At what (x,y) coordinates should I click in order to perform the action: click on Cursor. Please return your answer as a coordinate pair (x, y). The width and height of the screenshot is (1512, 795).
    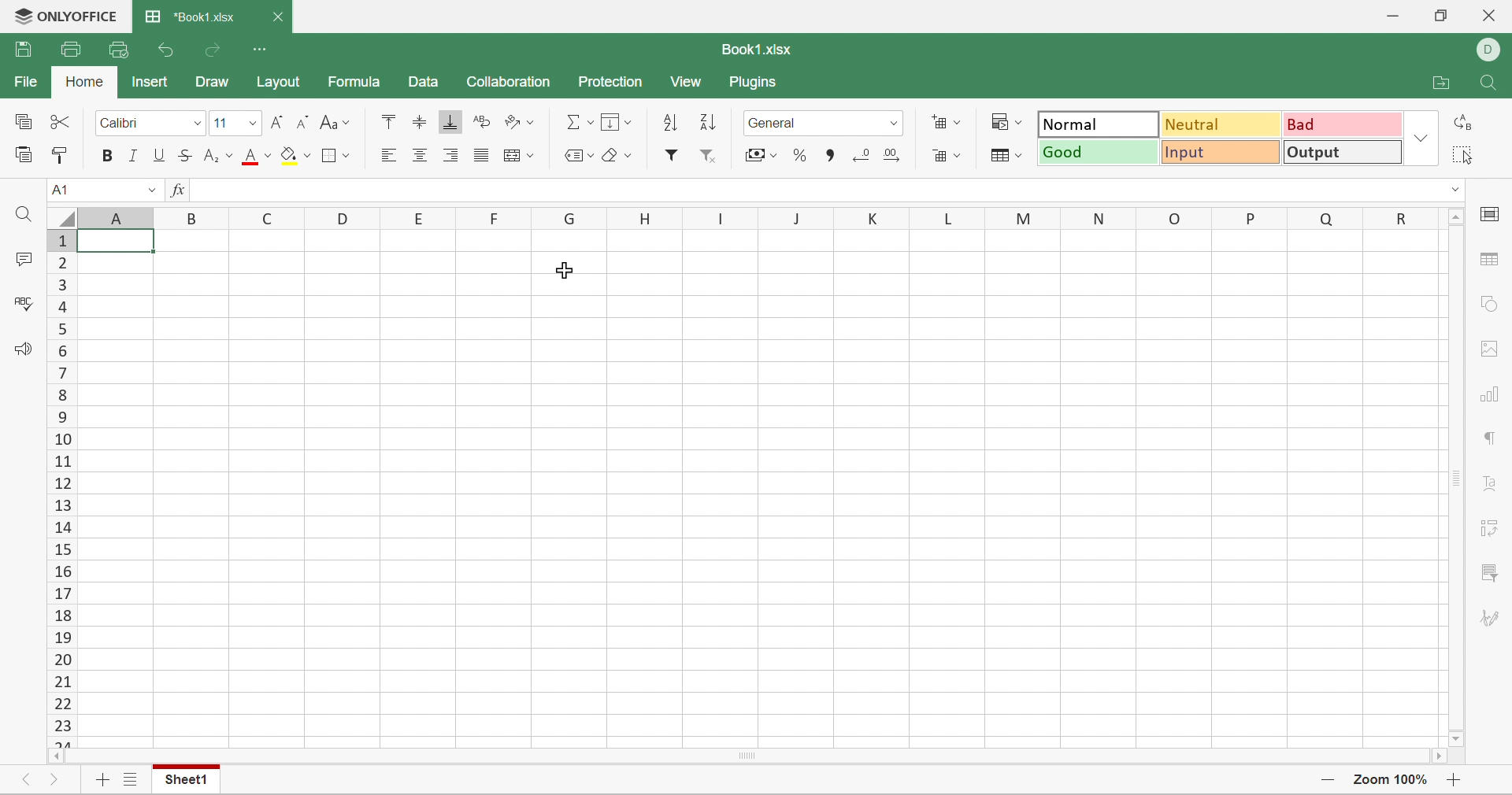
    Looking at the image, I should click on (566, 270).